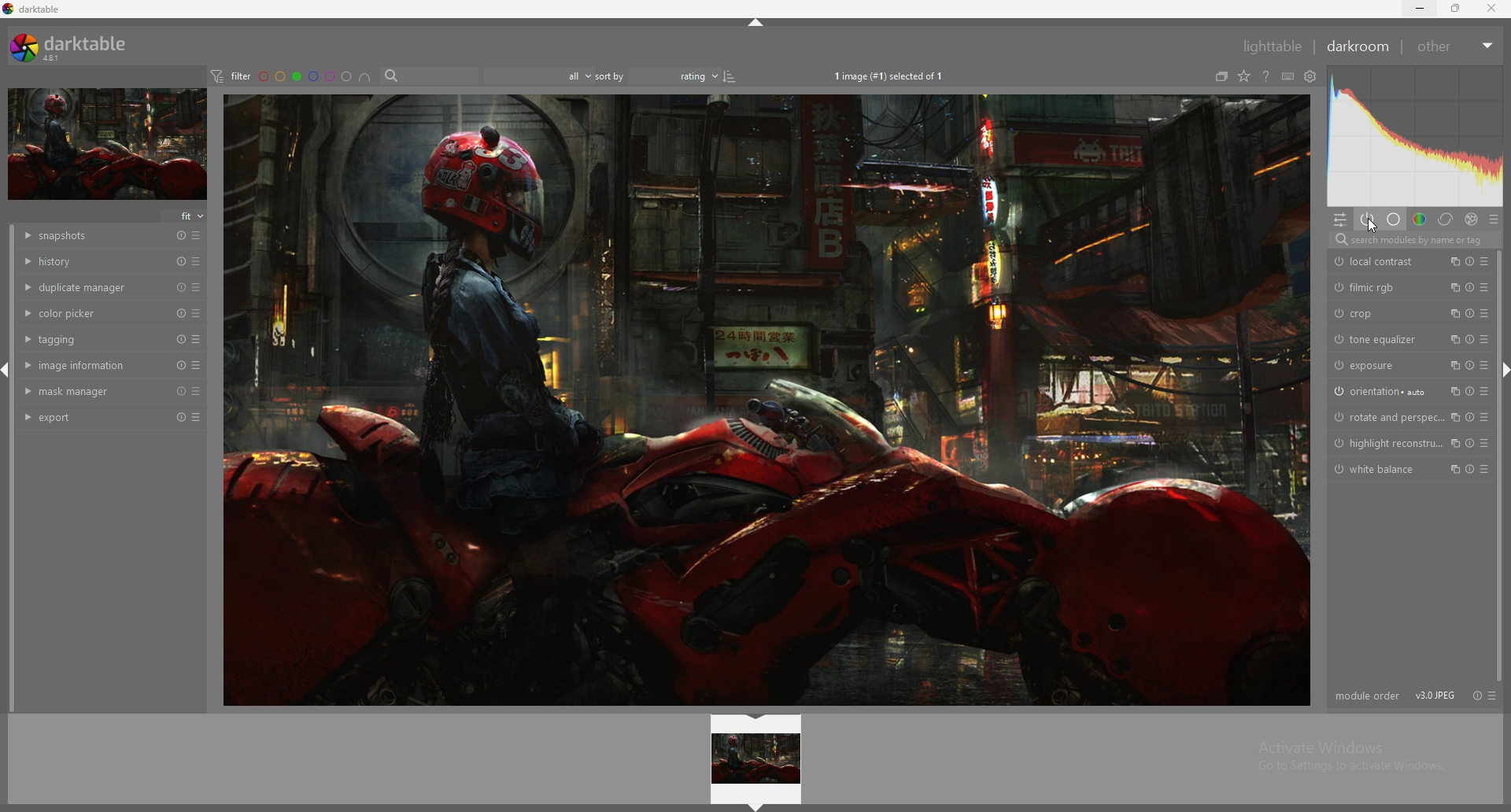  What do you see at coordinates (181, 236) in the screenshot?
I see `reset` at bounding box center [181, 236].